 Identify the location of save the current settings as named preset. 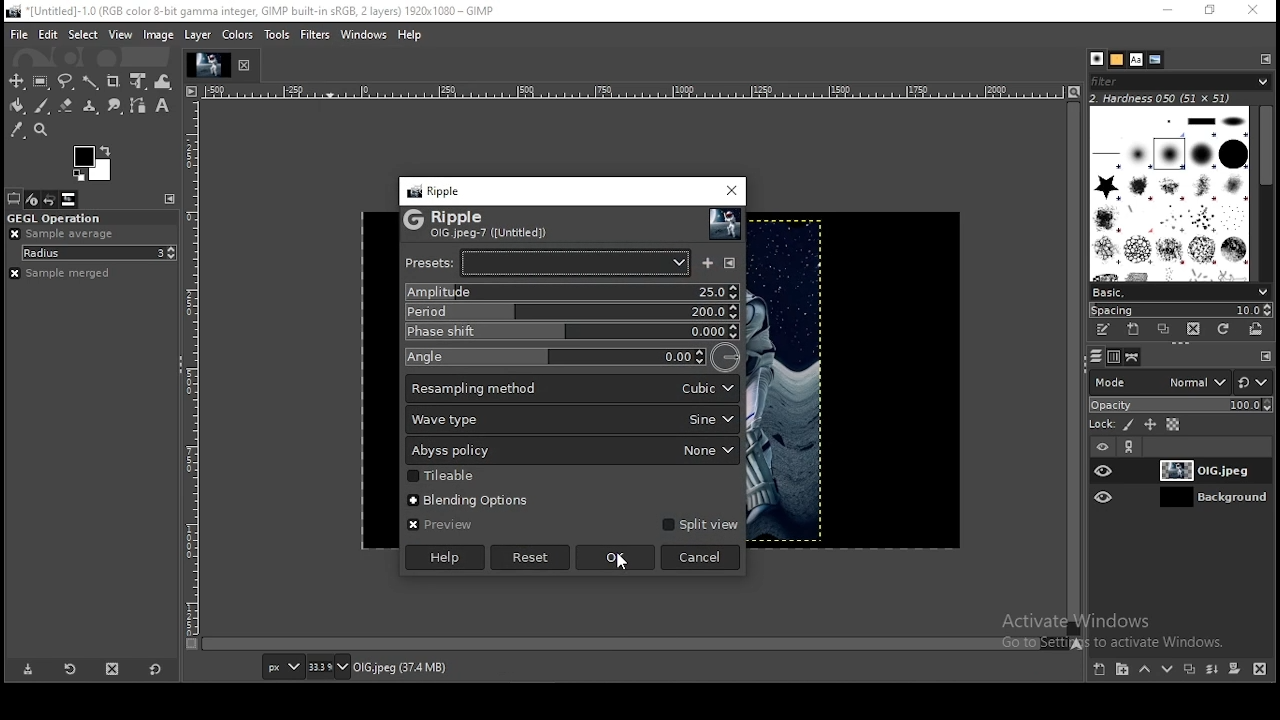
(707, 263).